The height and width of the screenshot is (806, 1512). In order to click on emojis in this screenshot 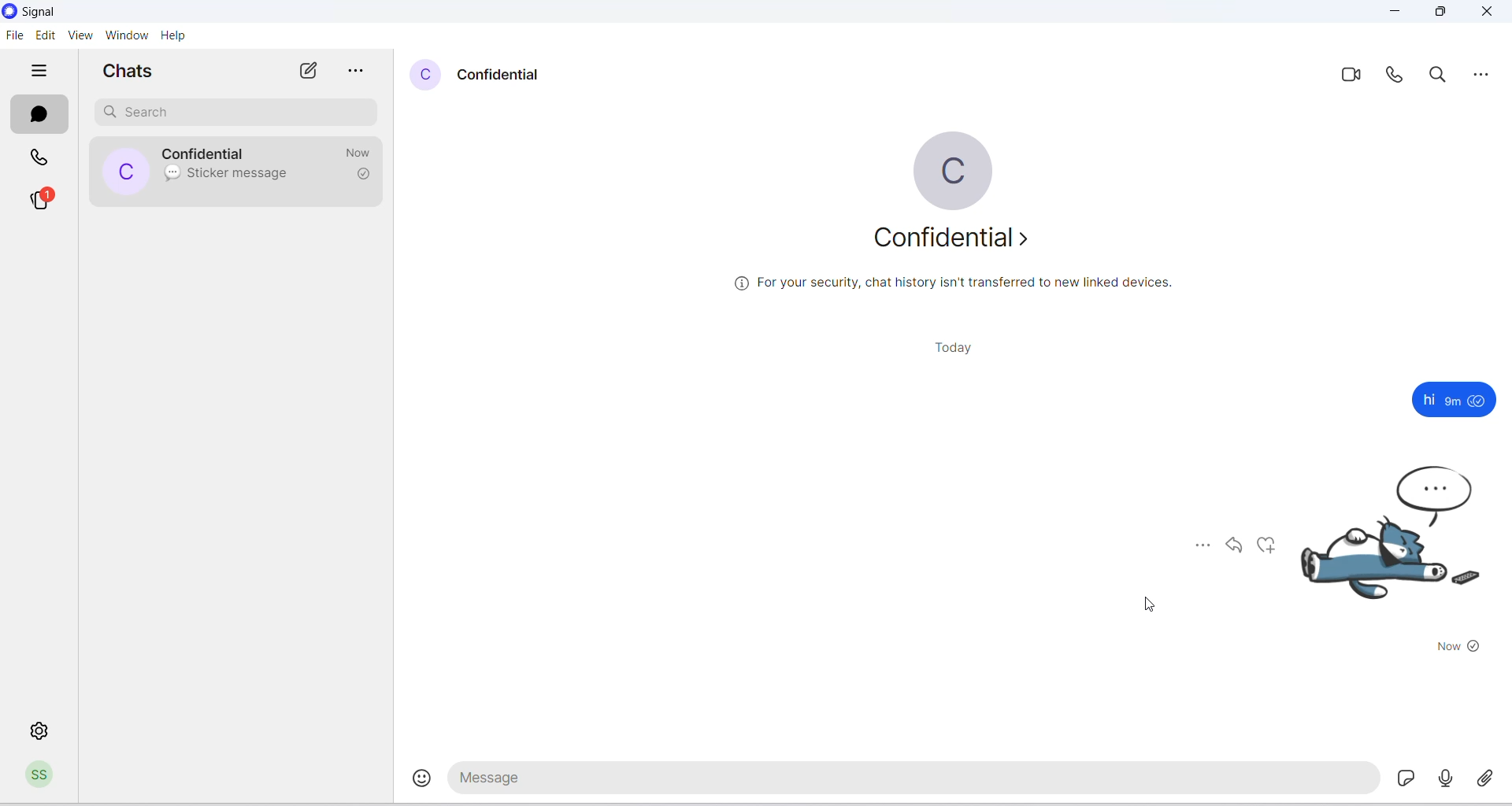, I will do `click(413, 782)`.